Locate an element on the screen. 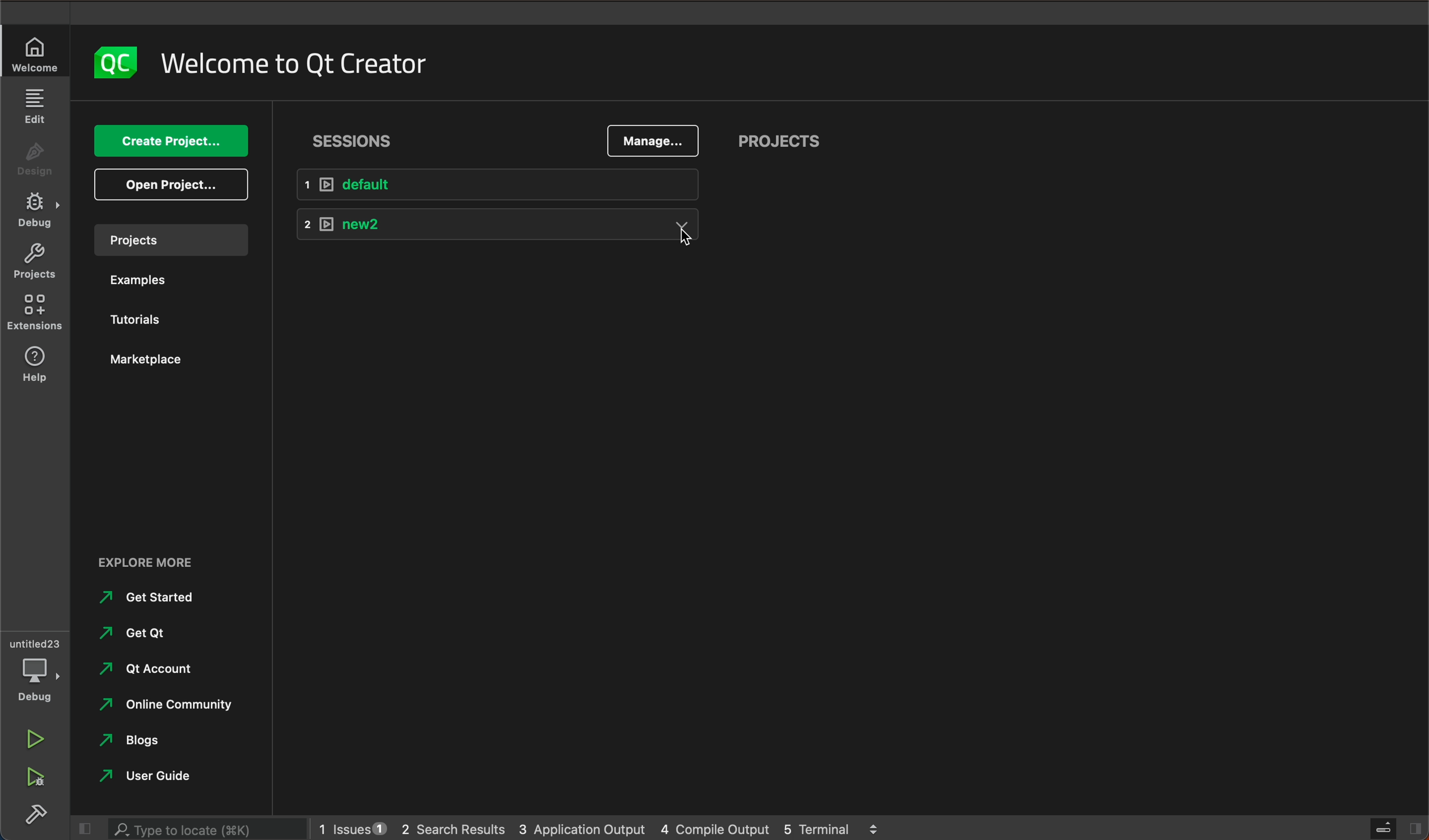 The height and width of the screenshot is (840, 1429). get qt is located at coordinates (151, 634).